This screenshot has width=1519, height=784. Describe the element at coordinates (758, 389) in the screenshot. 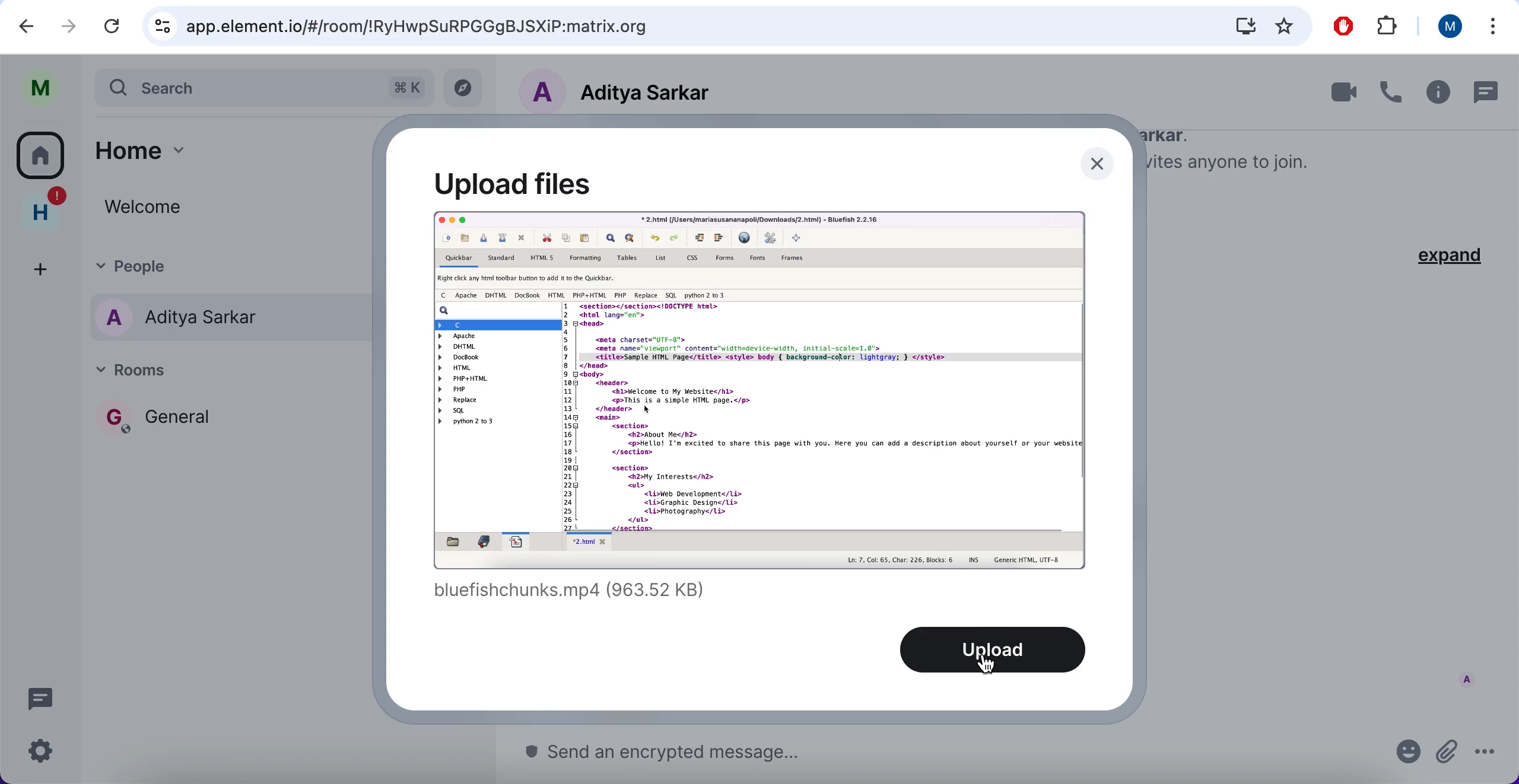

I see `upload file` at that location.